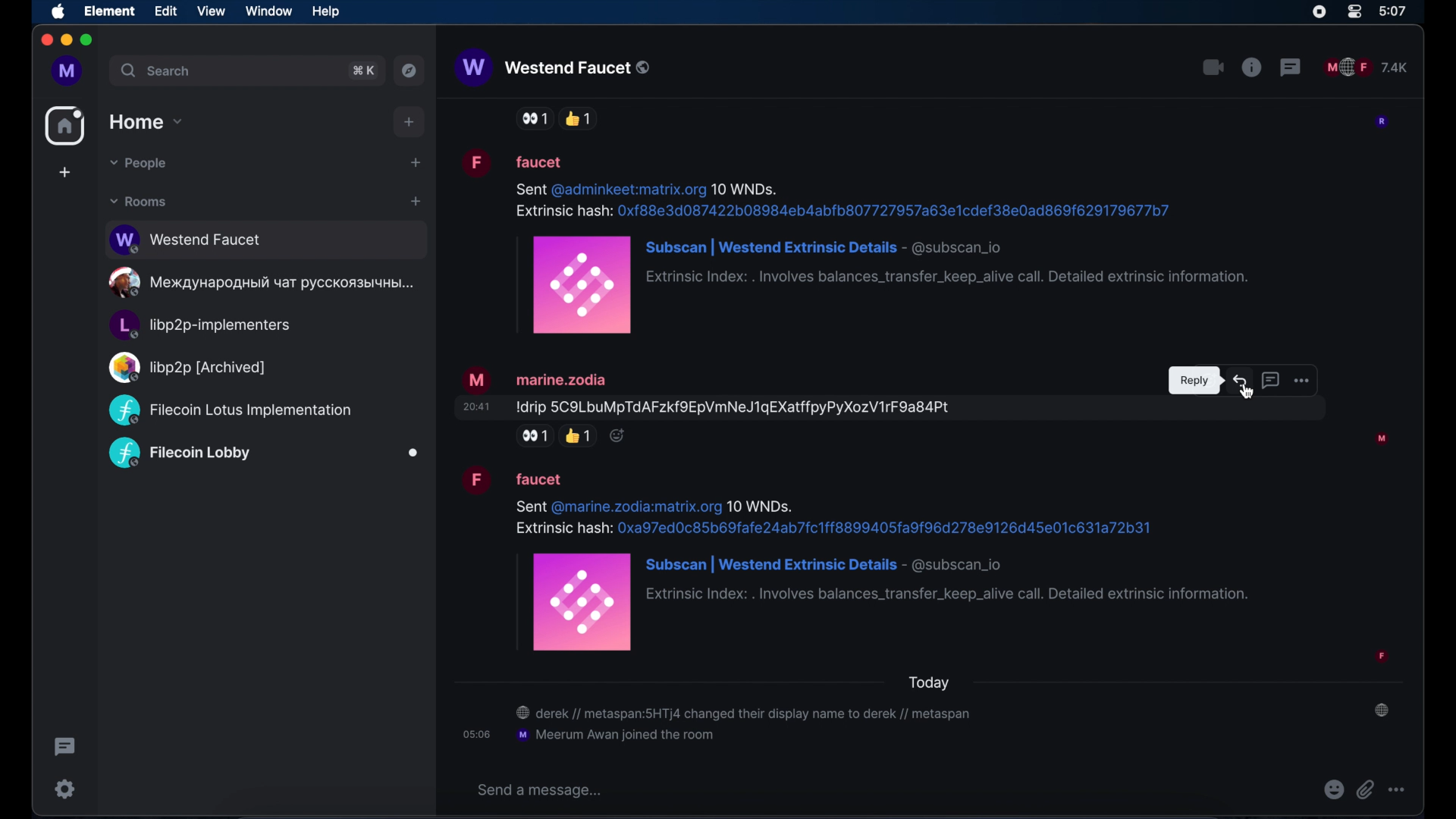 This screenshot has height=819, width=1456. Describe the element at coordinates (930, 682) in the screenshot. I see `today` at that location.